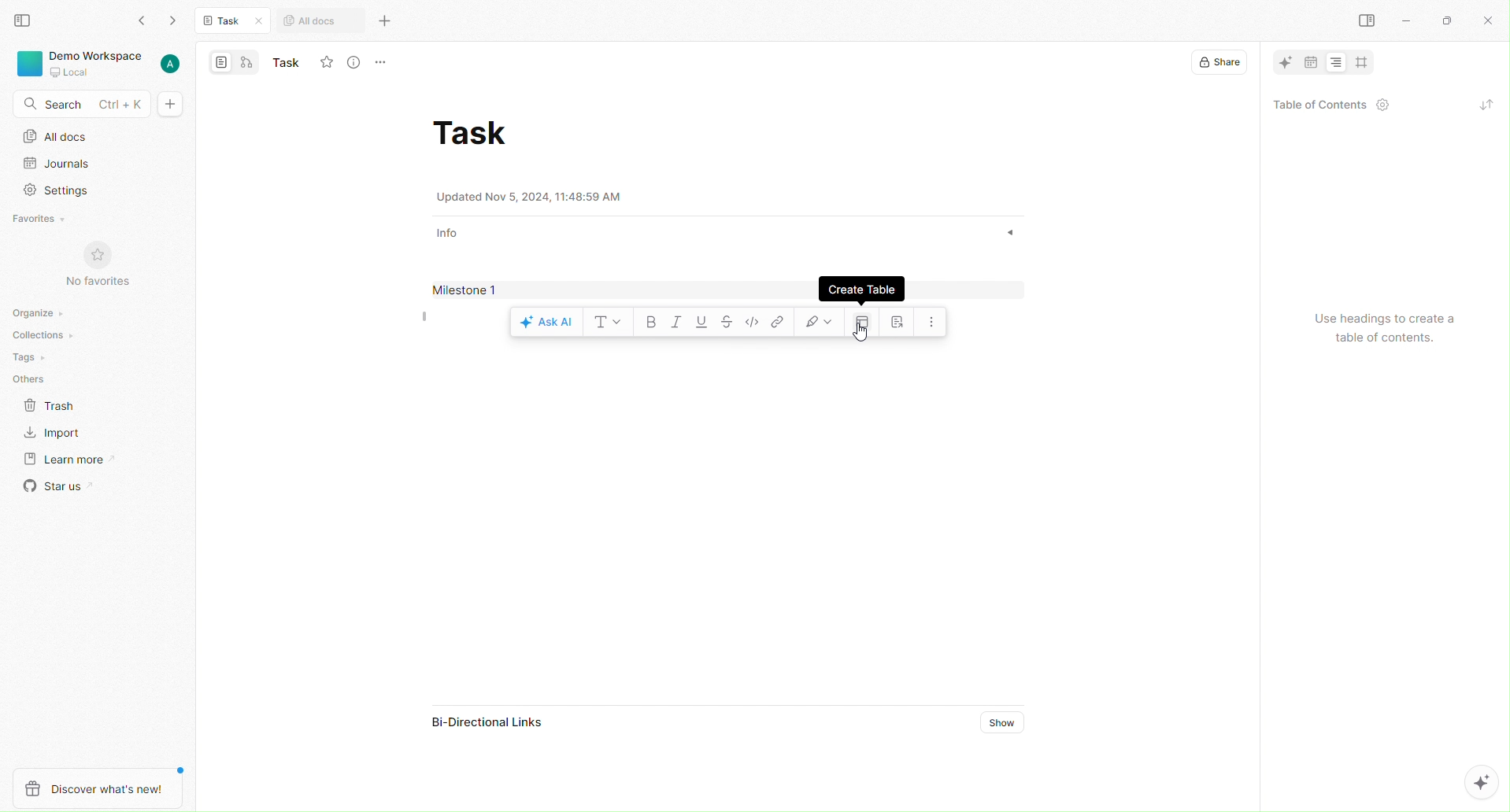 The image size is (1510, 812). Describe the element at coordinates (1481, 103) in the screenshot. I see `refresh` at that location.